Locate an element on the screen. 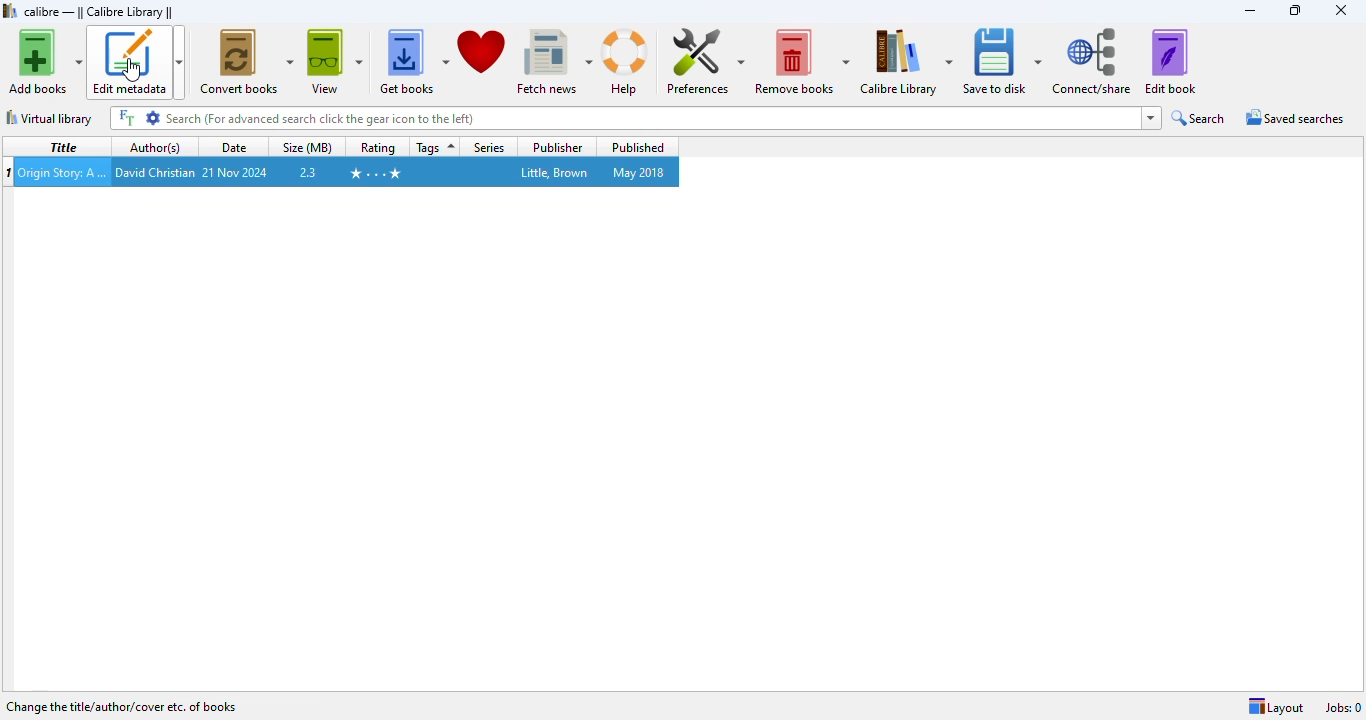 This screenshot has height=720, width=1366. maximize is located at coordinates (1294, 10).